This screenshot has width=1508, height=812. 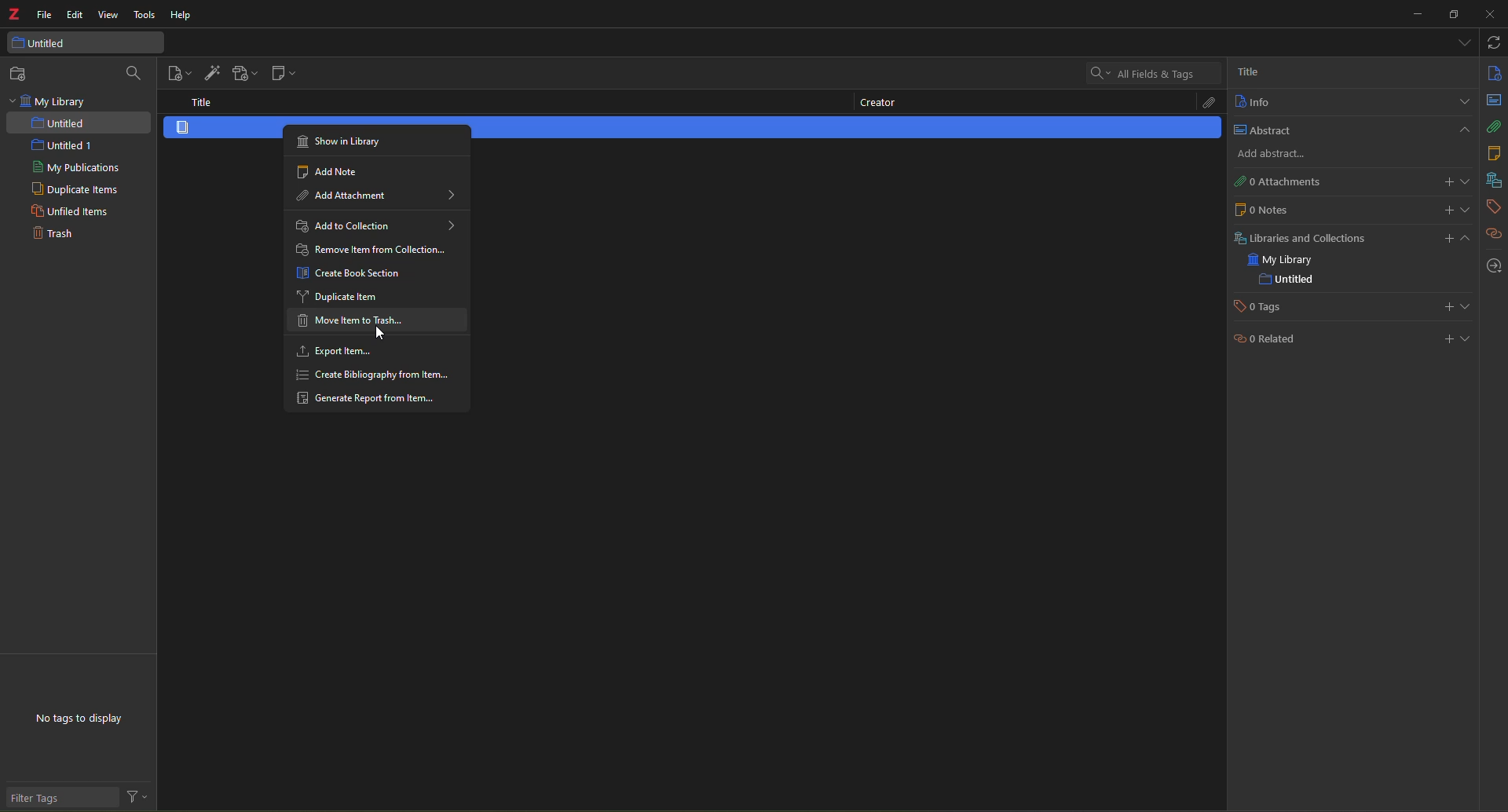 I want to click on create bibliography, so click(x=375, y=375).